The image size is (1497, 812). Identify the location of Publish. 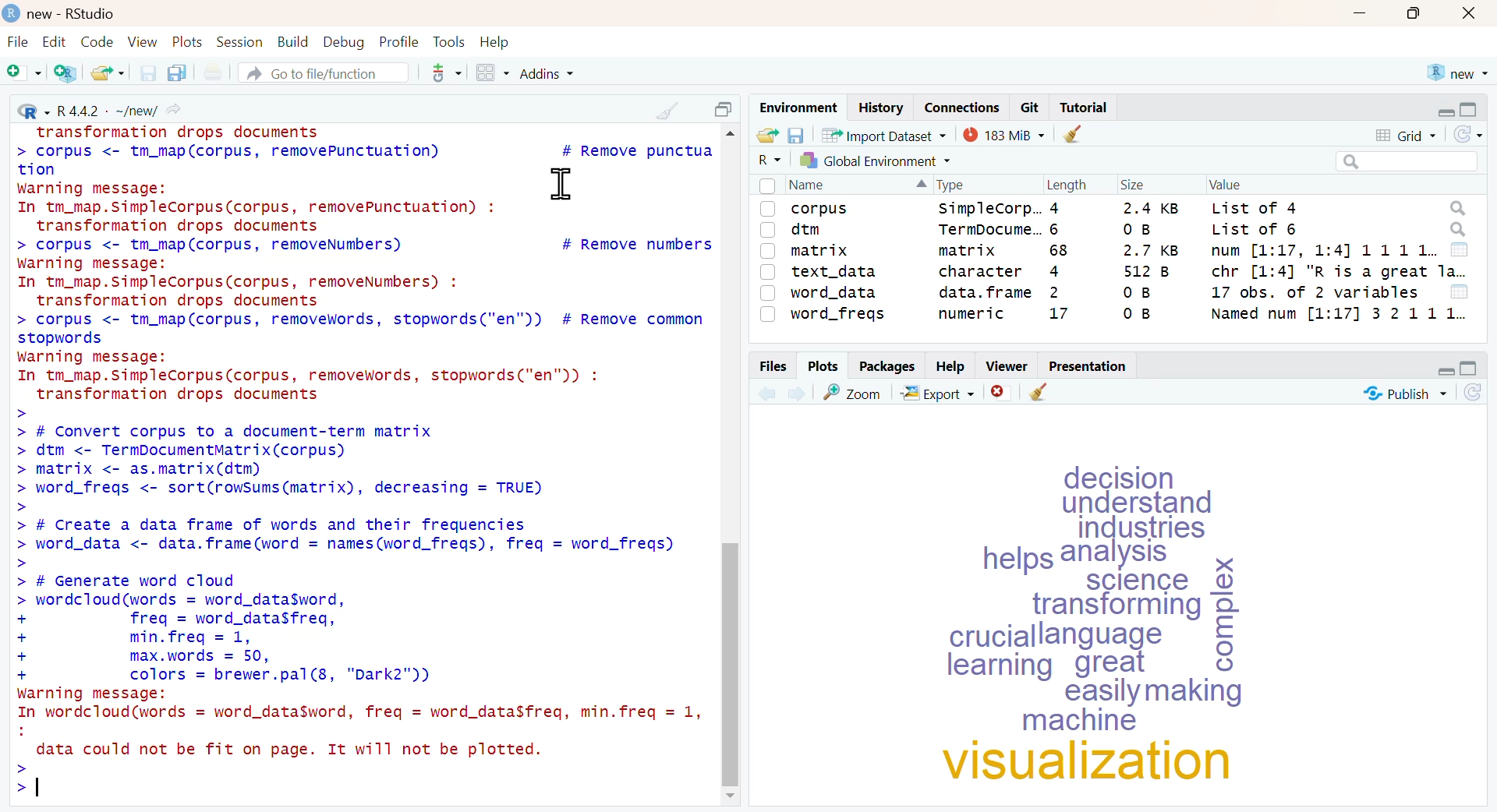
(1405, 392).